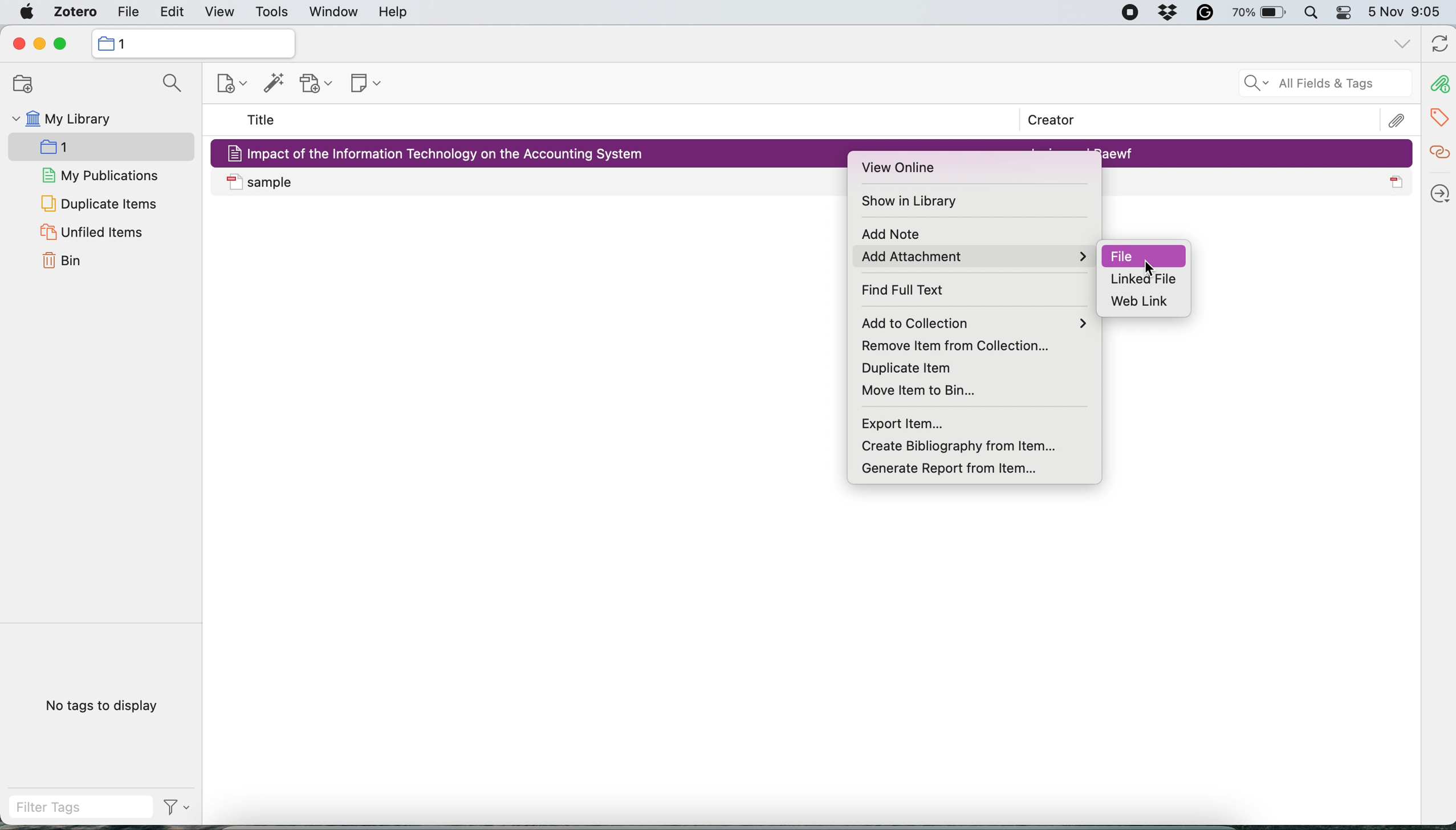 The width and height of the screenshot is (1456, 830). I want to click on Impact of the Information Technology on the Accounting System  Jasim and Raewf, so click(531, 152).